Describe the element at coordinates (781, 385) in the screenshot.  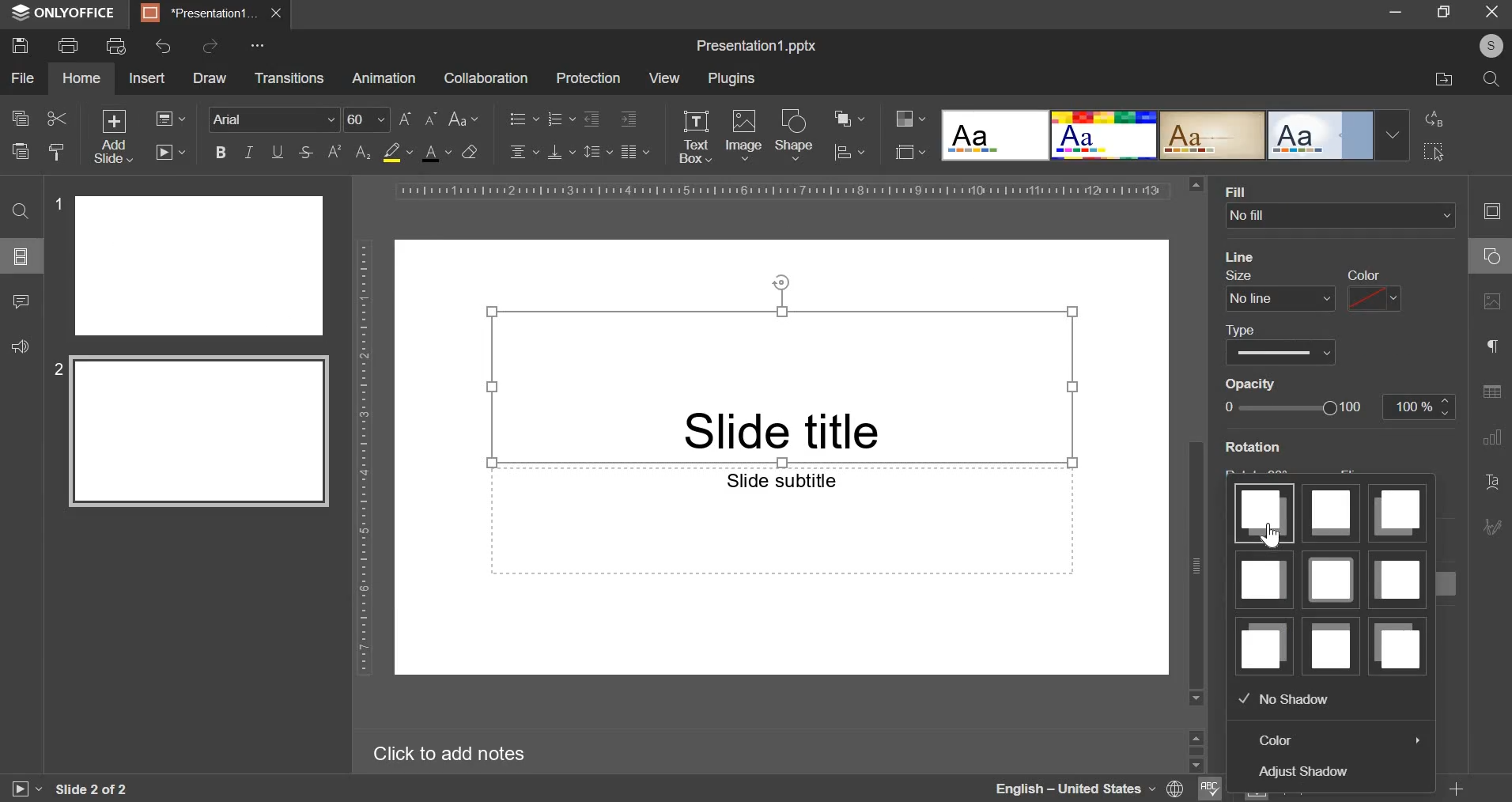
I see `slide title` at that location.